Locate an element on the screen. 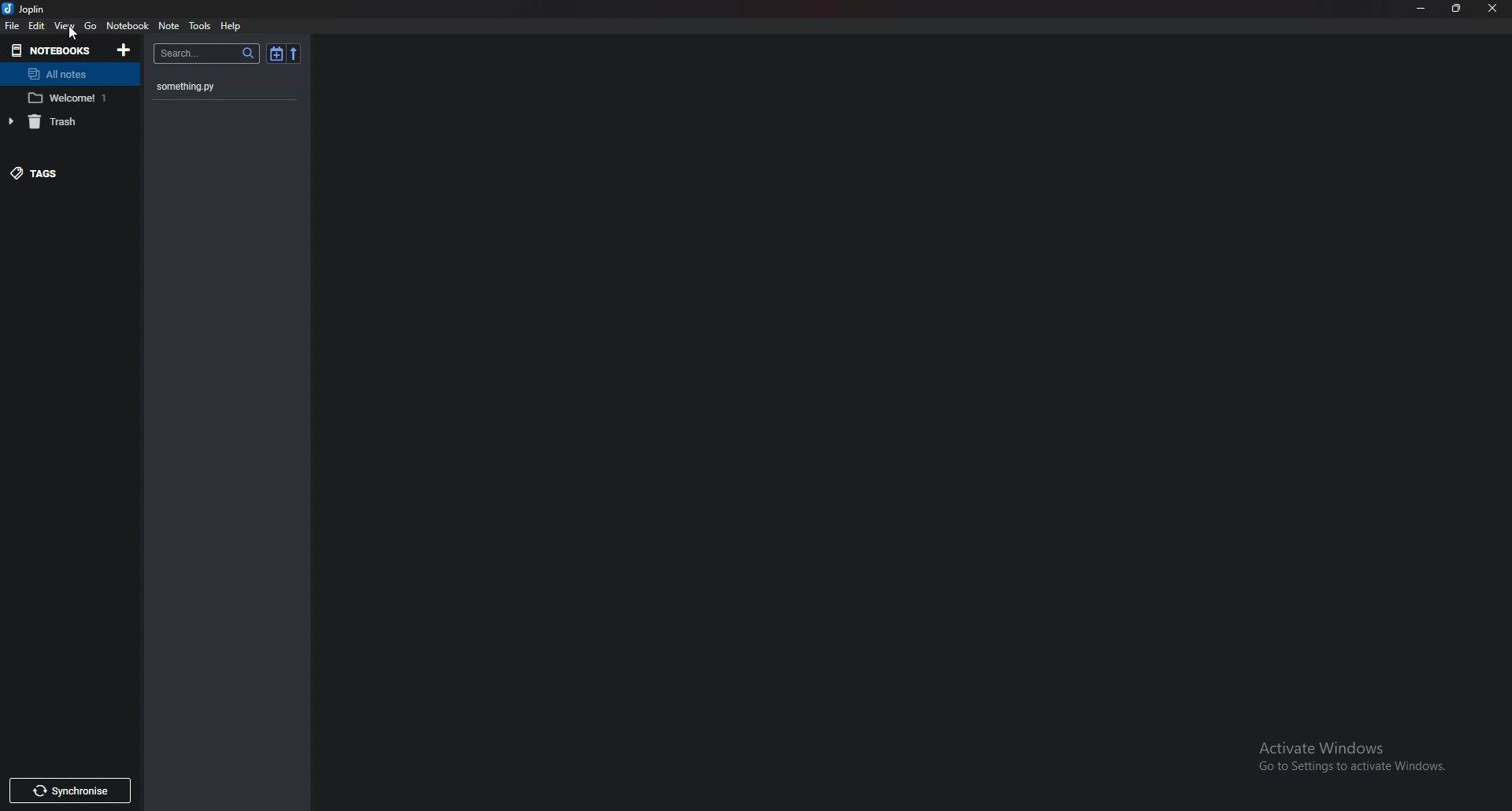 This screenshot has height=811, width=1512. close is located at coordinates (1493, 9).